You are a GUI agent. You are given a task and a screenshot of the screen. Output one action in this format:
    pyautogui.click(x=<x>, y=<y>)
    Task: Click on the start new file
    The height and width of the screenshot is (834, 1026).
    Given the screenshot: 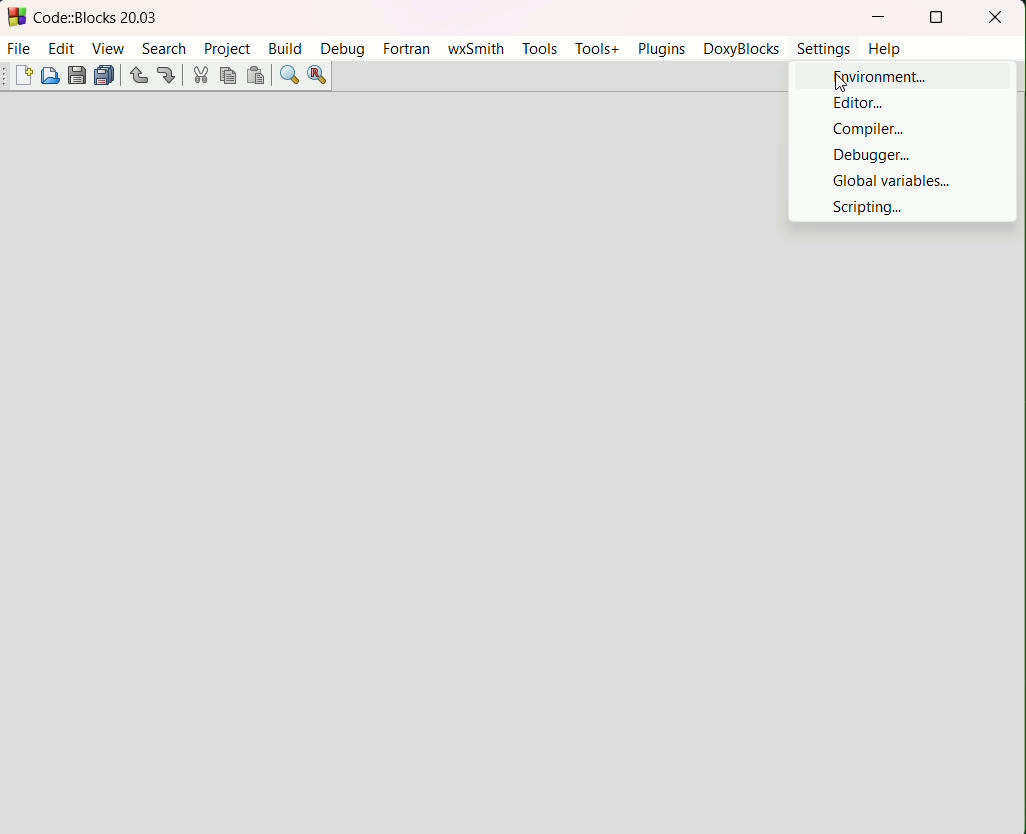 What is the action you would take?
    pyautogui.click(x=26, y=77)
    